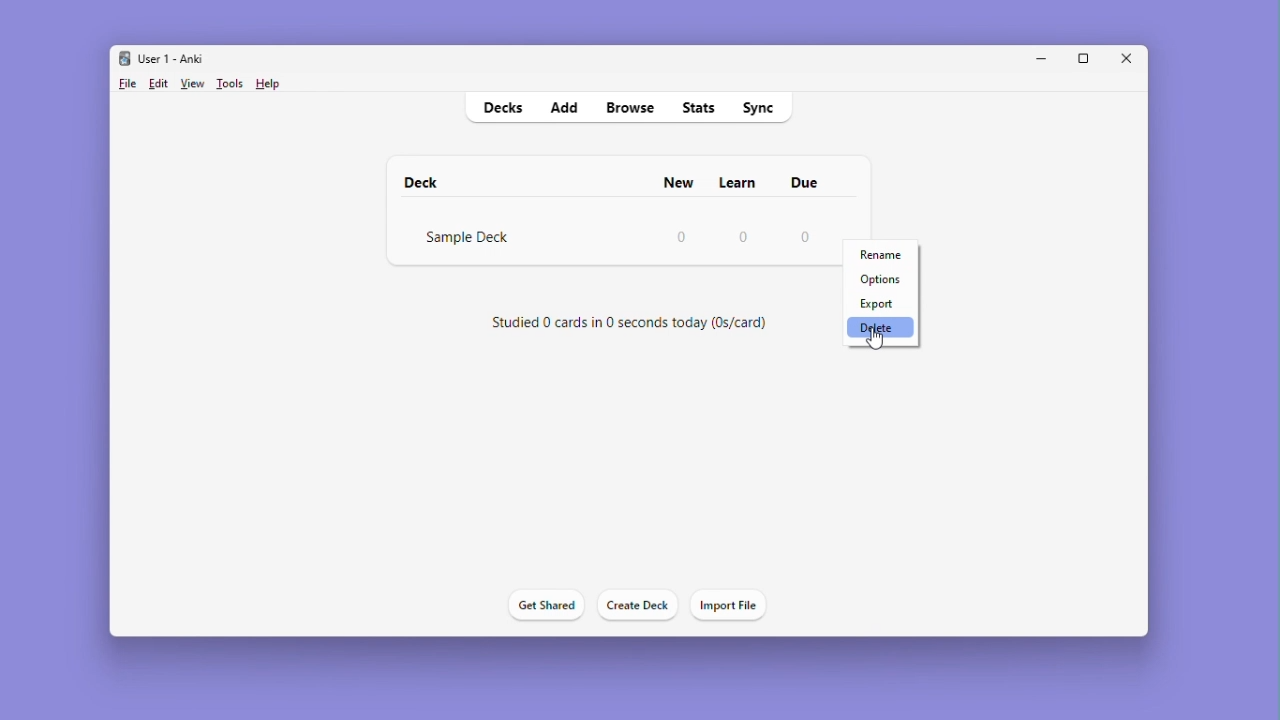 The height and width of the screenshot is (720, 1280). What do you see at coordinates (563, 106) in the screenshot?
I see `Add` at bounding box center [563, 106].